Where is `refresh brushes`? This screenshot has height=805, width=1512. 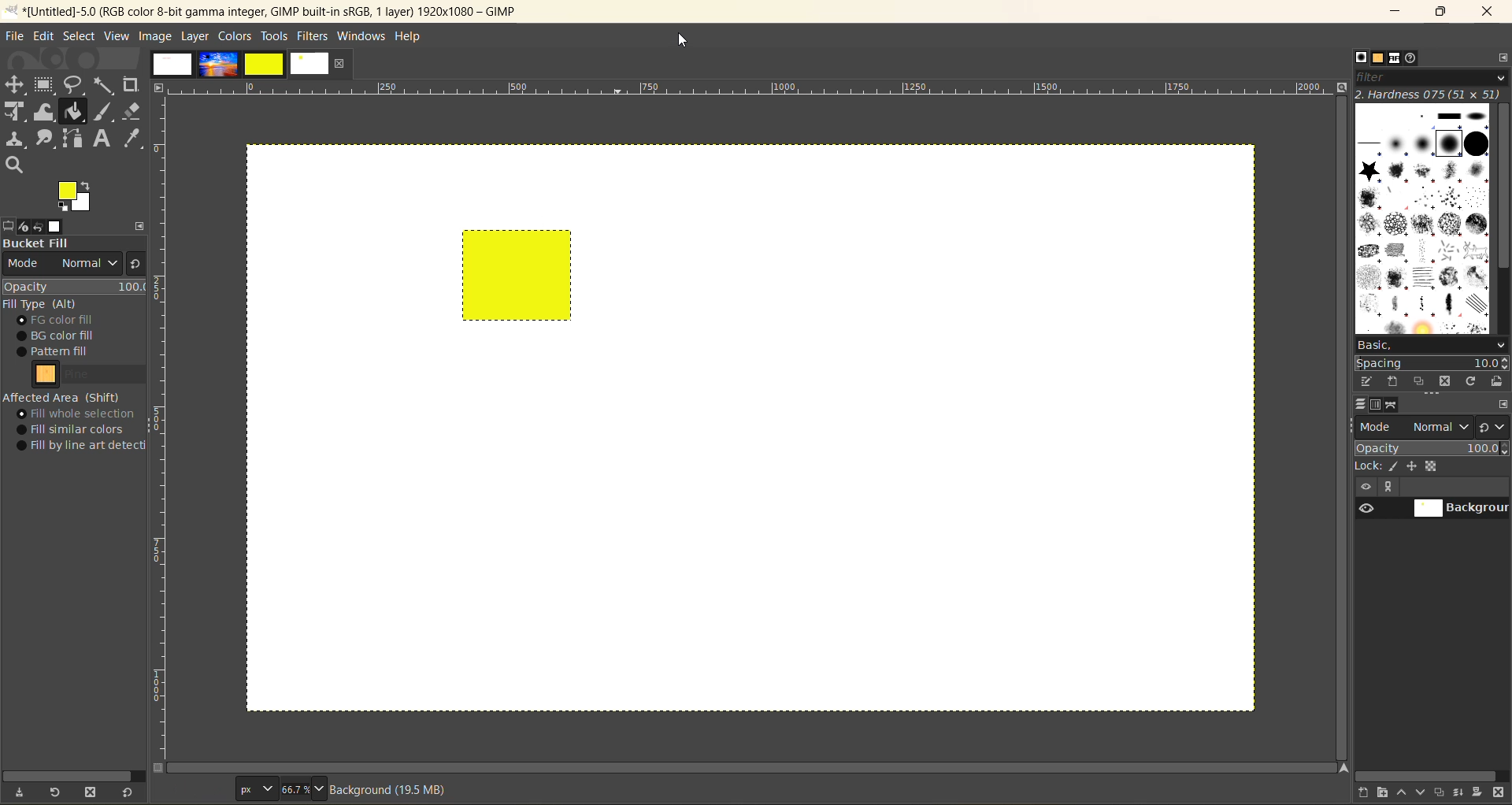 refresh brushes is located at coordinates (1470, 381).